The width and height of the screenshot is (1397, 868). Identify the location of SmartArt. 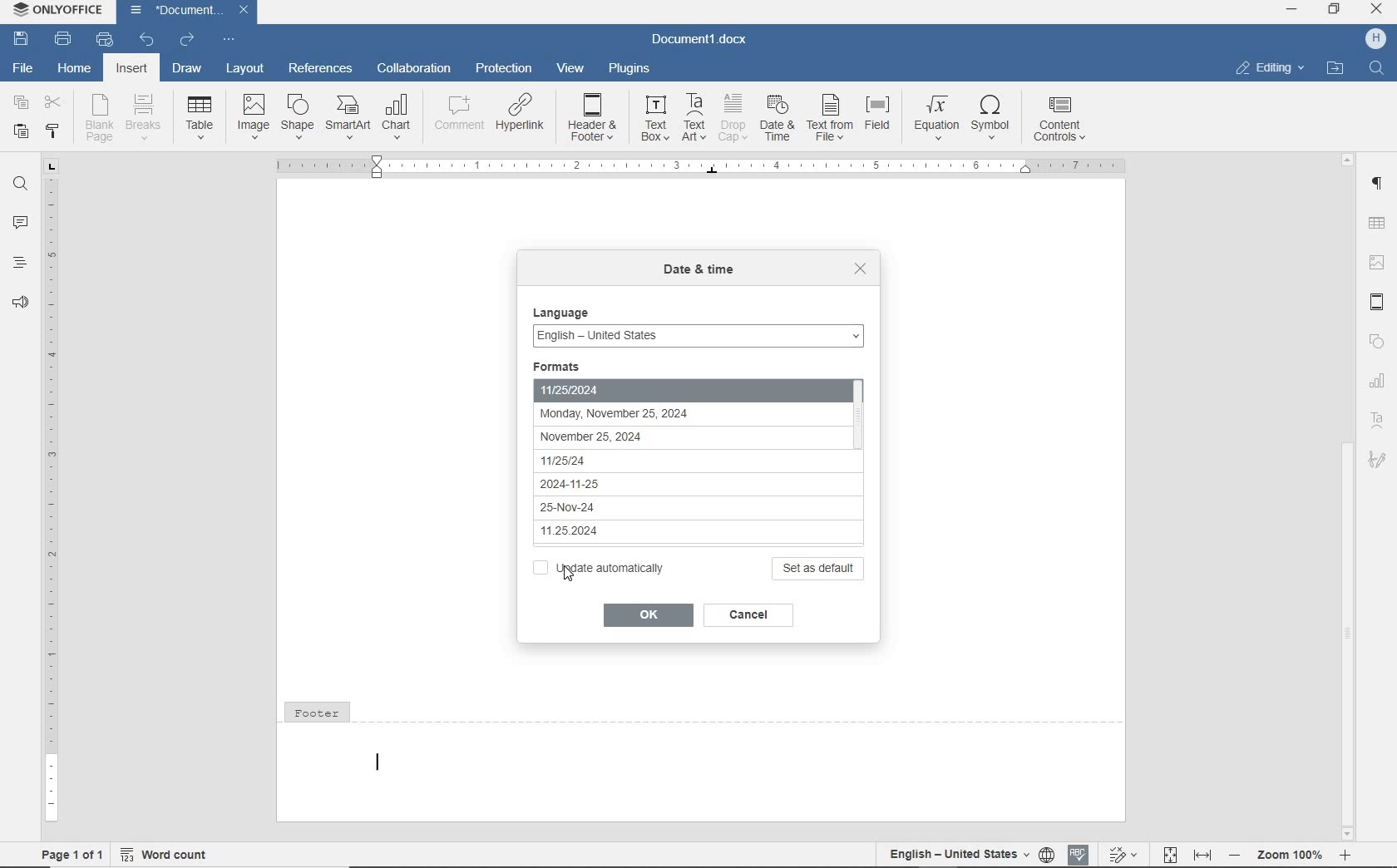
(348, 117).